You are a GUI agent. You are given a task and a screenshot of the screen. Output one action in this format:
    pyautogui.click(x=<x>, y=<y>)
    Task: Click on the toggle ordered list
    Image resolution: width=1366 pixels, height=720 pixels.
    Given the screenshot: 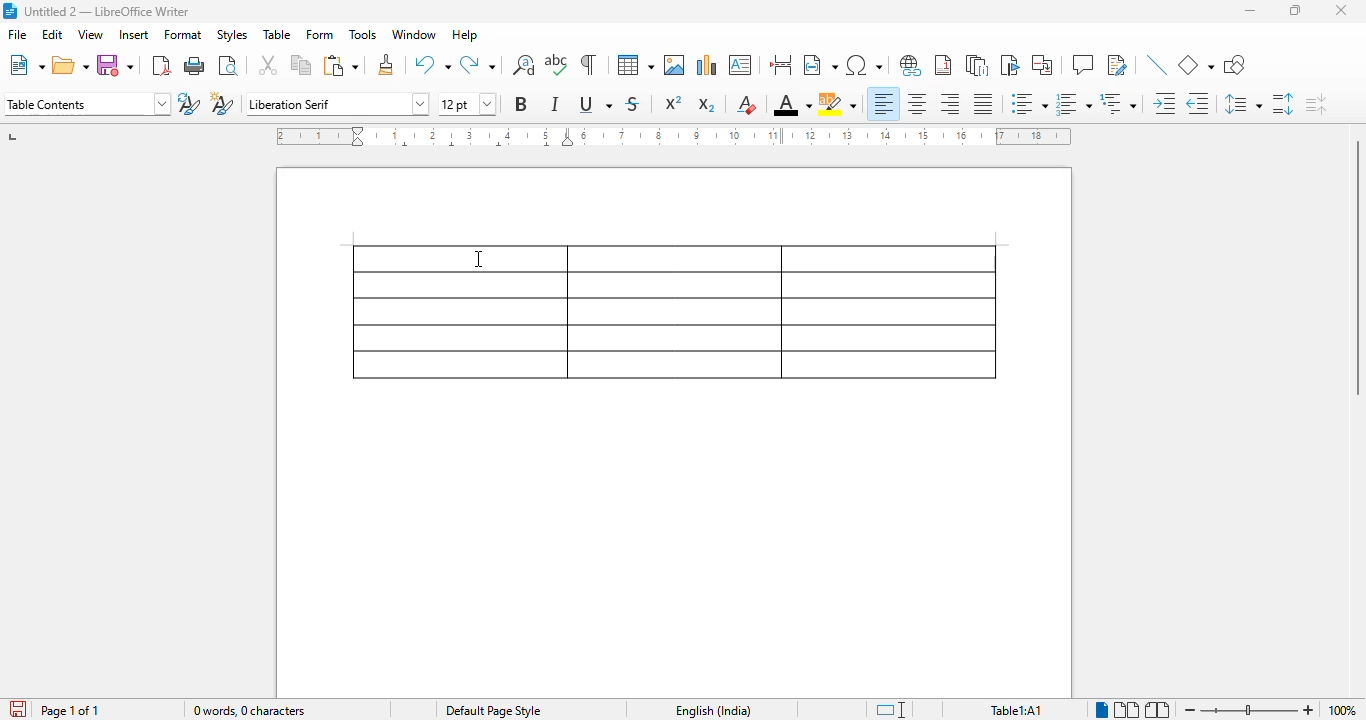 What is the action you would take?
    pyautogui.click(x=1074, y=104)
    